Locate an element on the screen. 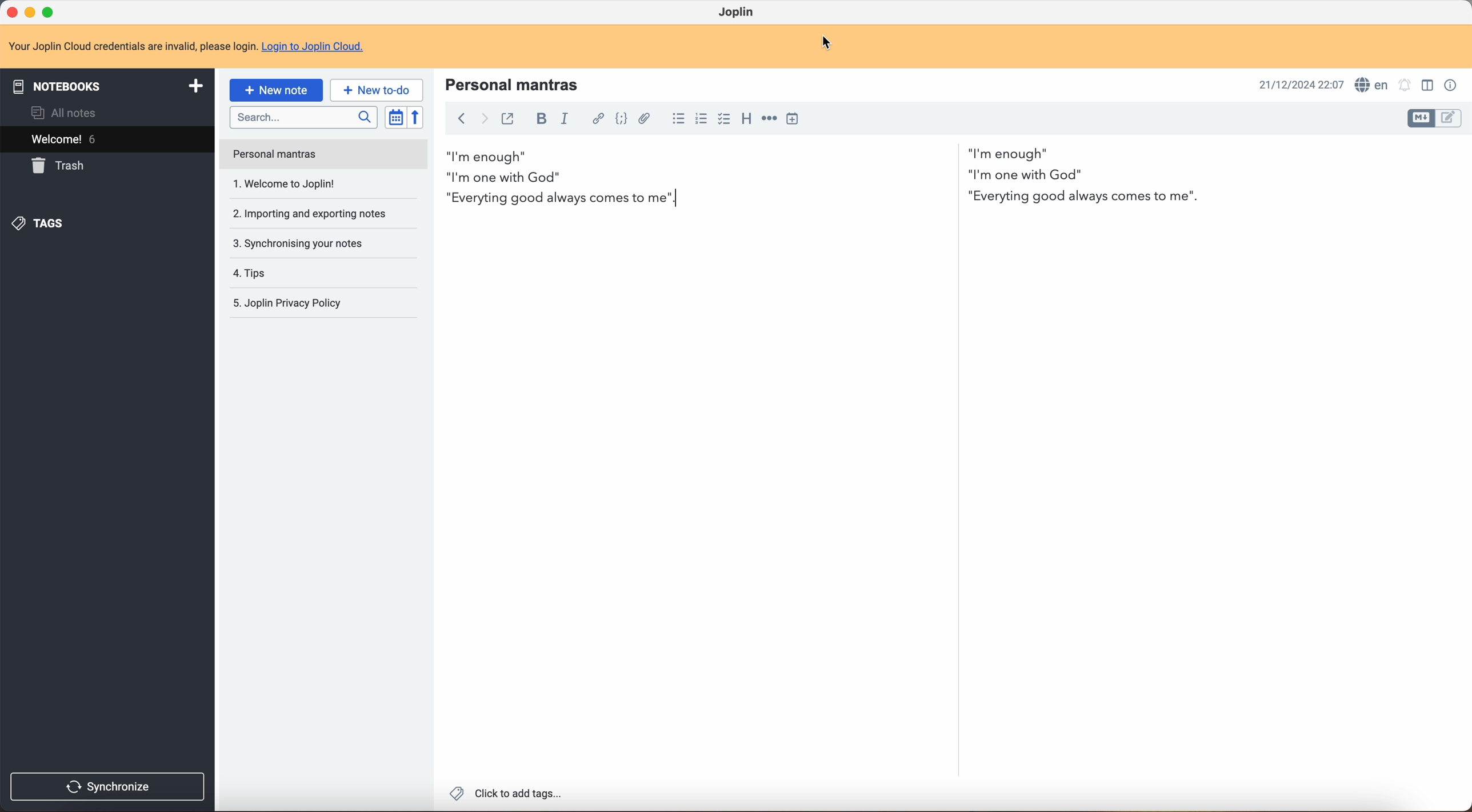 The image size is (1472, 812). hyperlink is located at coordinates (597, 119).